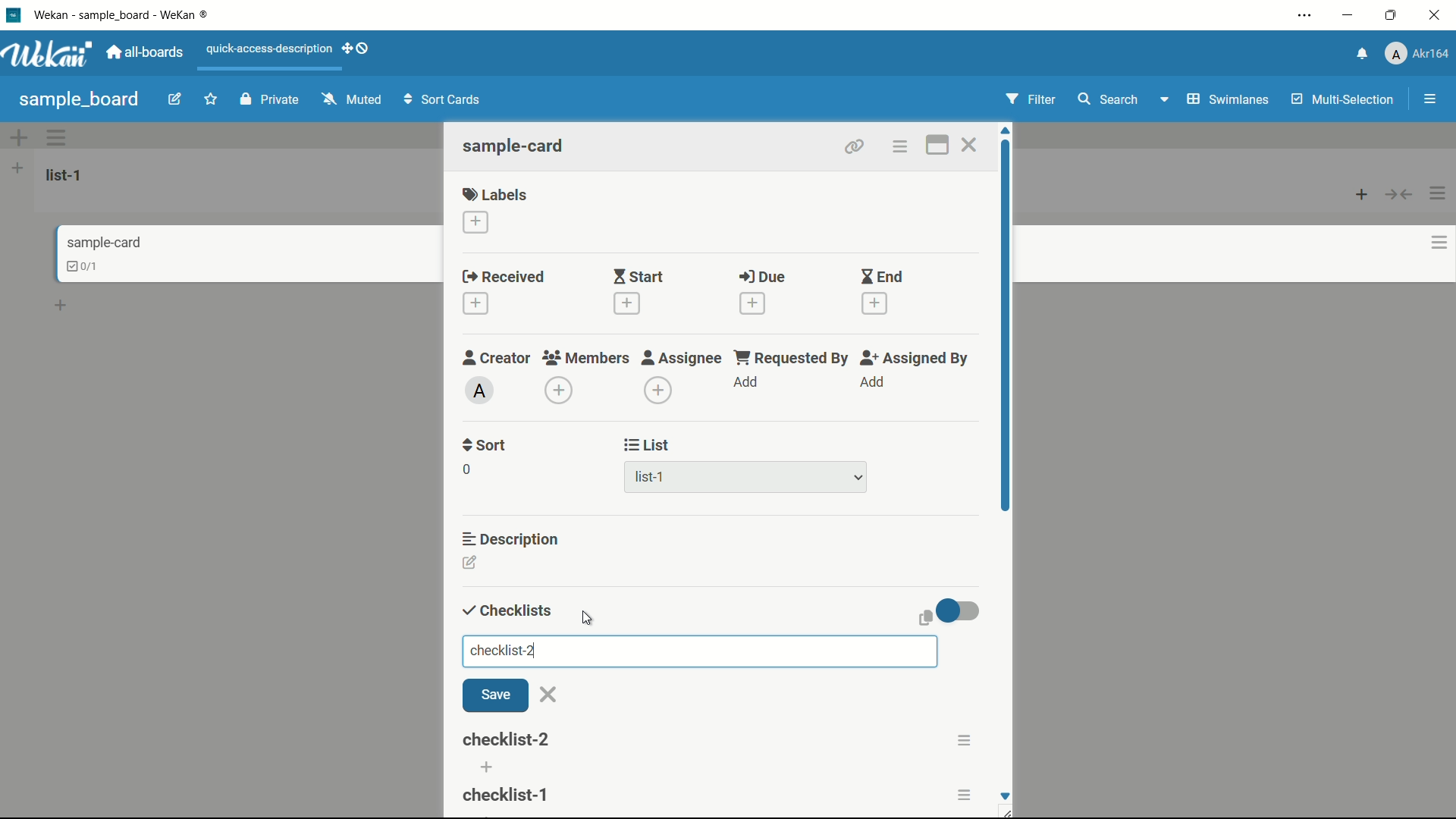  I want to click on cursor, so click(591, 617).